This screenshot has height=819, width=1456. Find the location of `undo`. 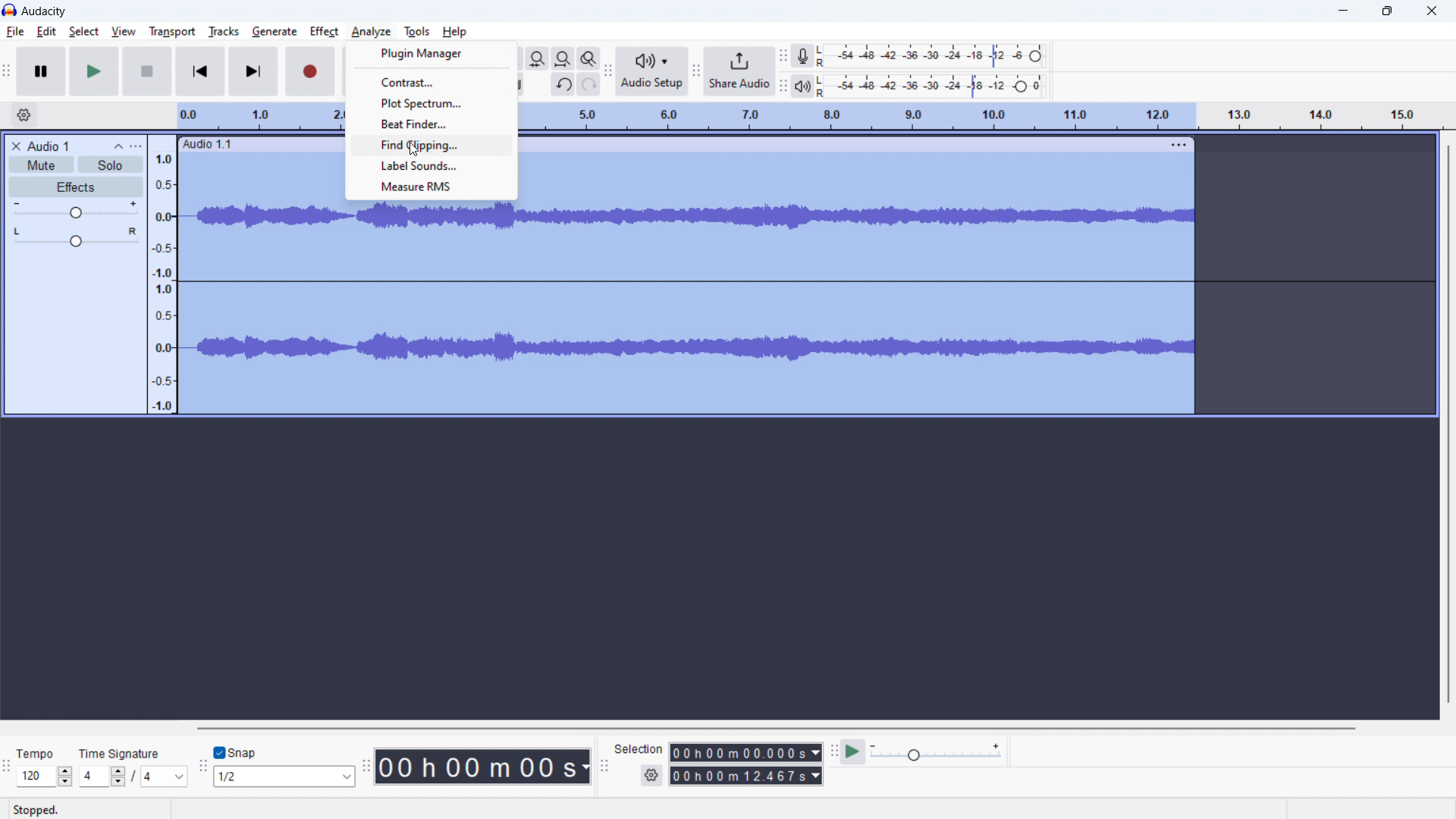

undo is located at coordinates (563, 84).